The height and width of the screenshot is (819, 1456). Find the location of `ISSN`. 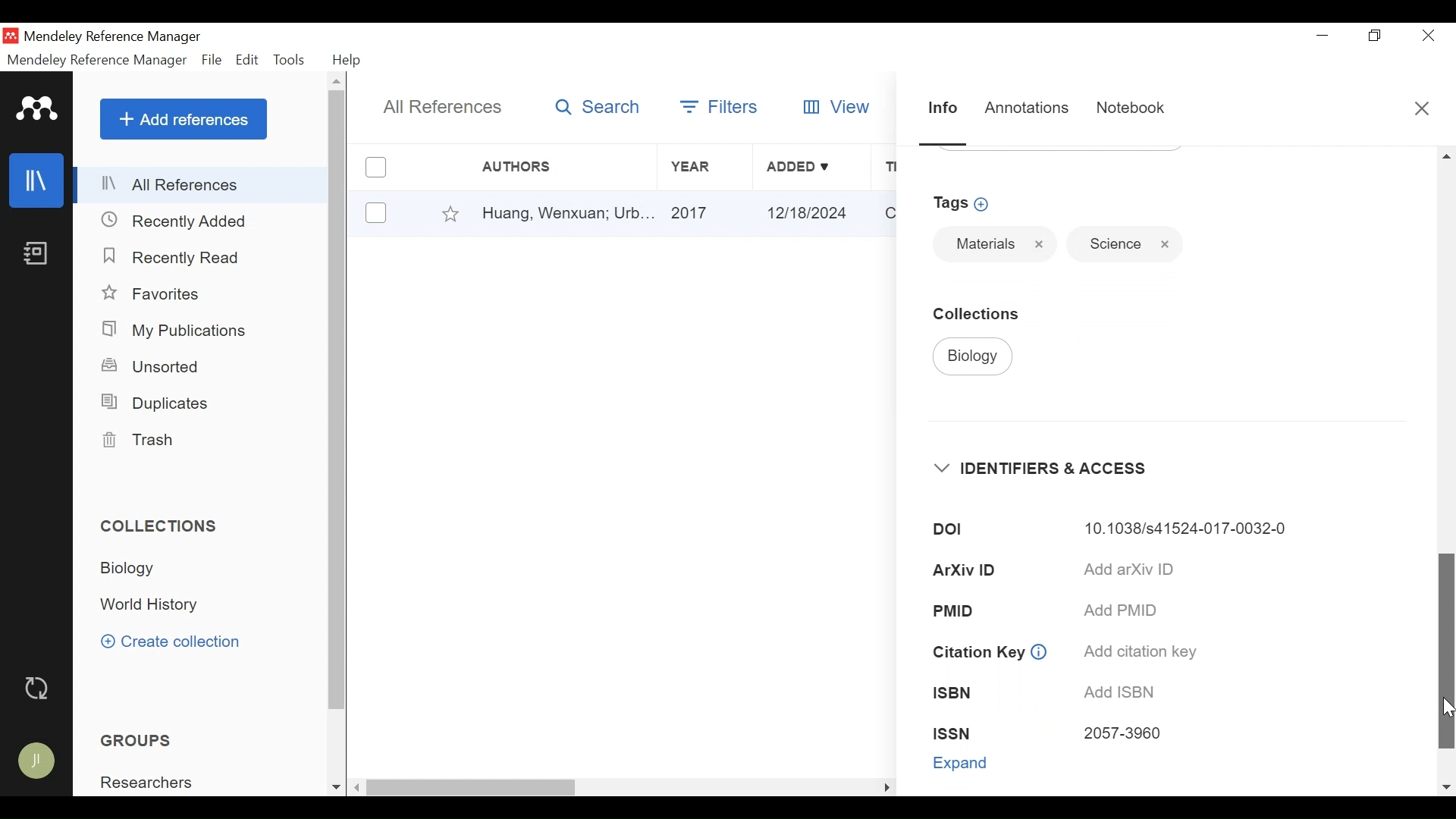

ISSN is located at coordinates (952, 732).